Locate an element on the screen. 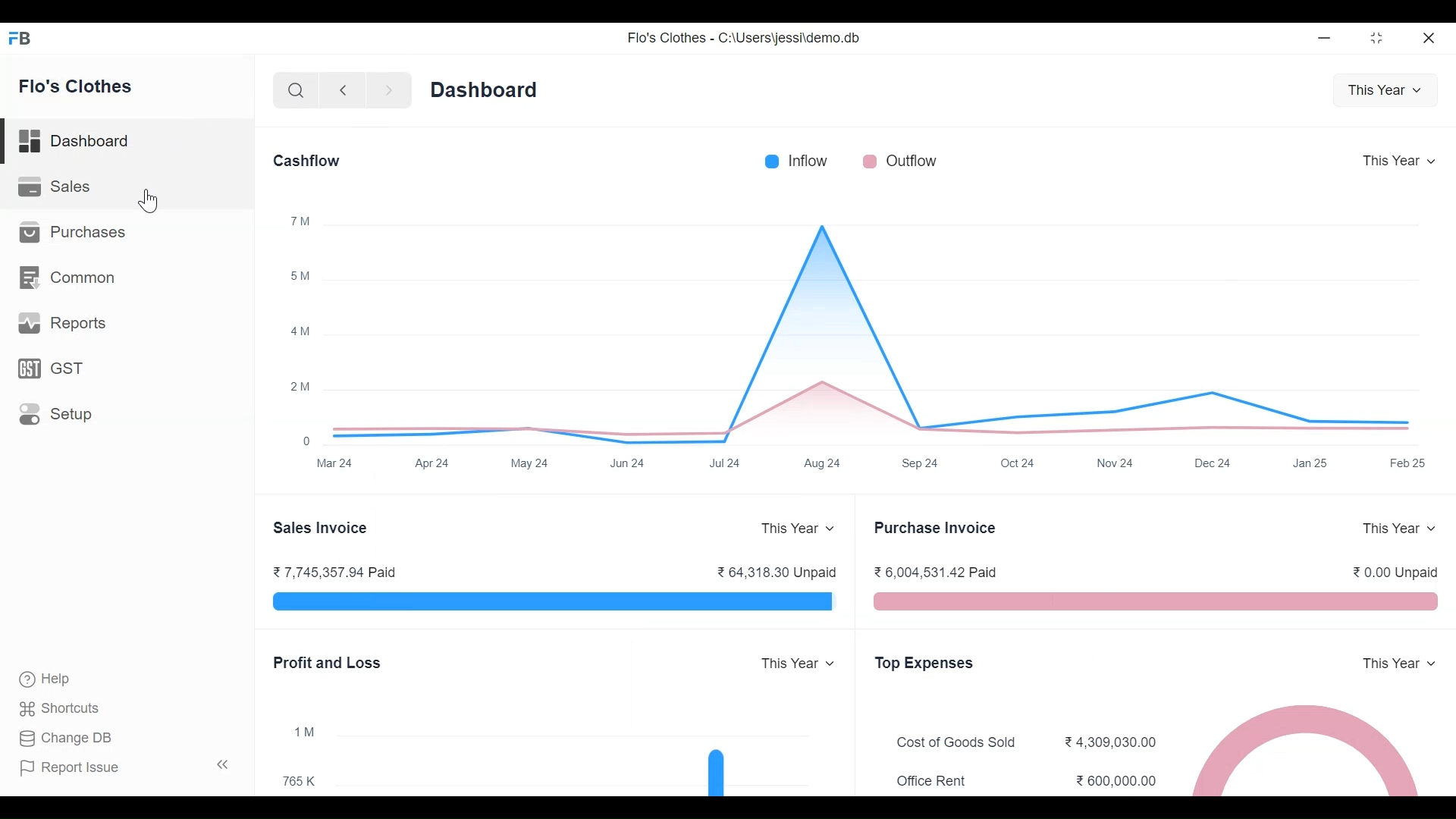 This screenshot has width=1456, height=819. Cost of Goods Sold is located at coordinates (957, 742).